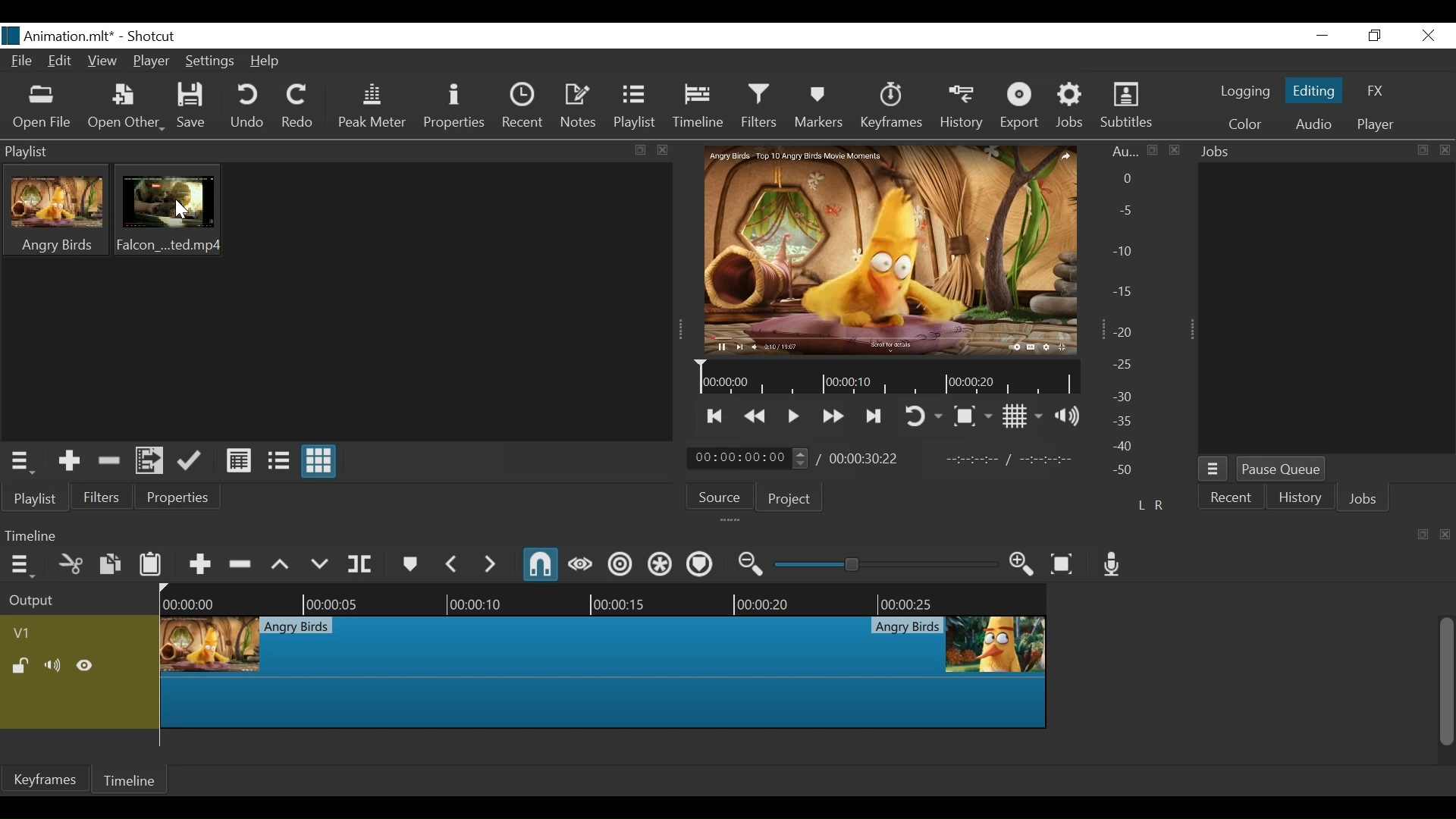  Describe the element at coordinates (748, 459) in the screenshot. I see `Current Position` at that location.